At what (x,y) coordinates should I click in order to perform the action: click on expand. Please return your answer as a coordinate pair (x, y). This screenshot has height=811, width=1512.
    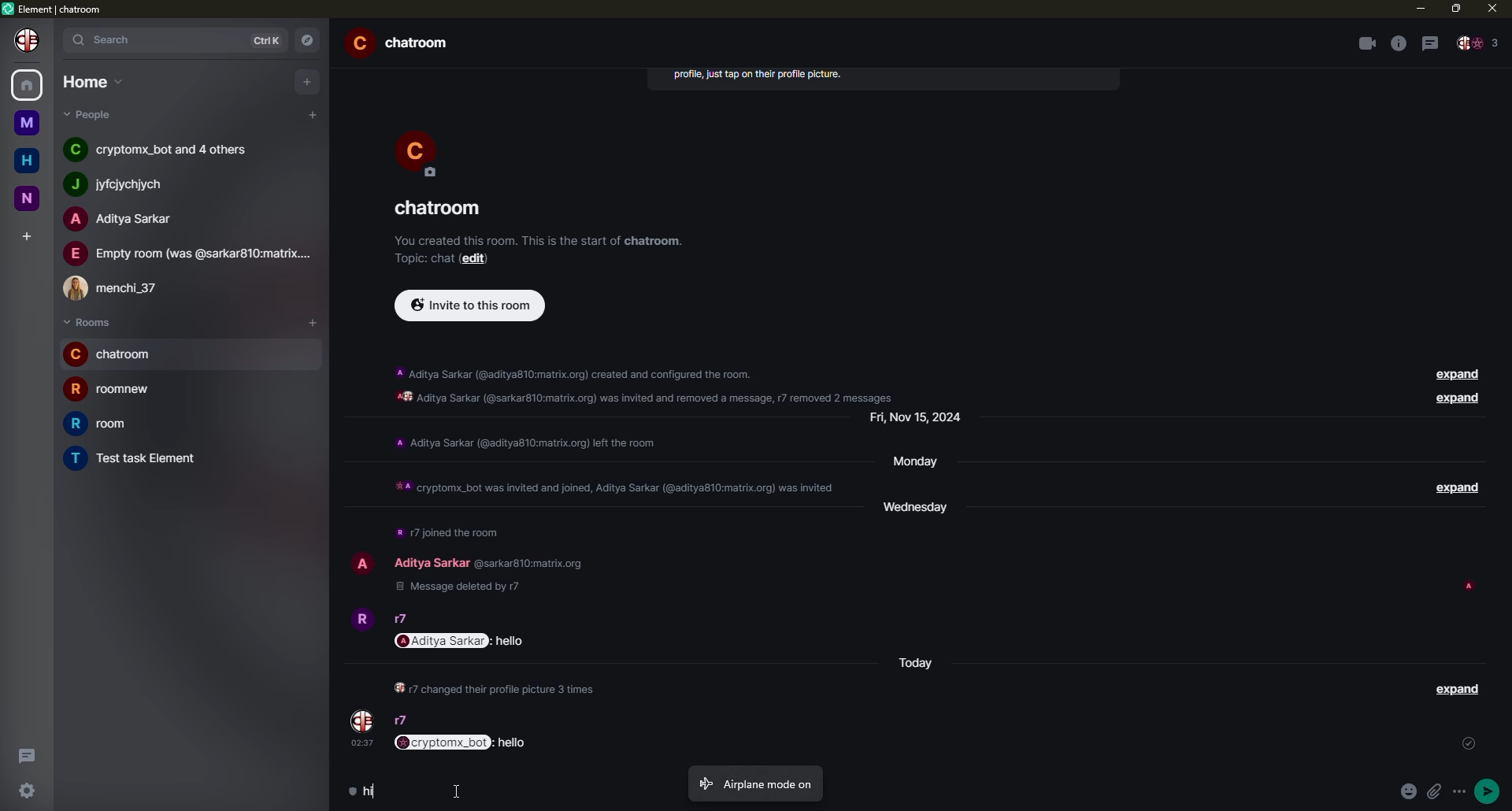
    Looking at the image, I should click on (1458, 400).